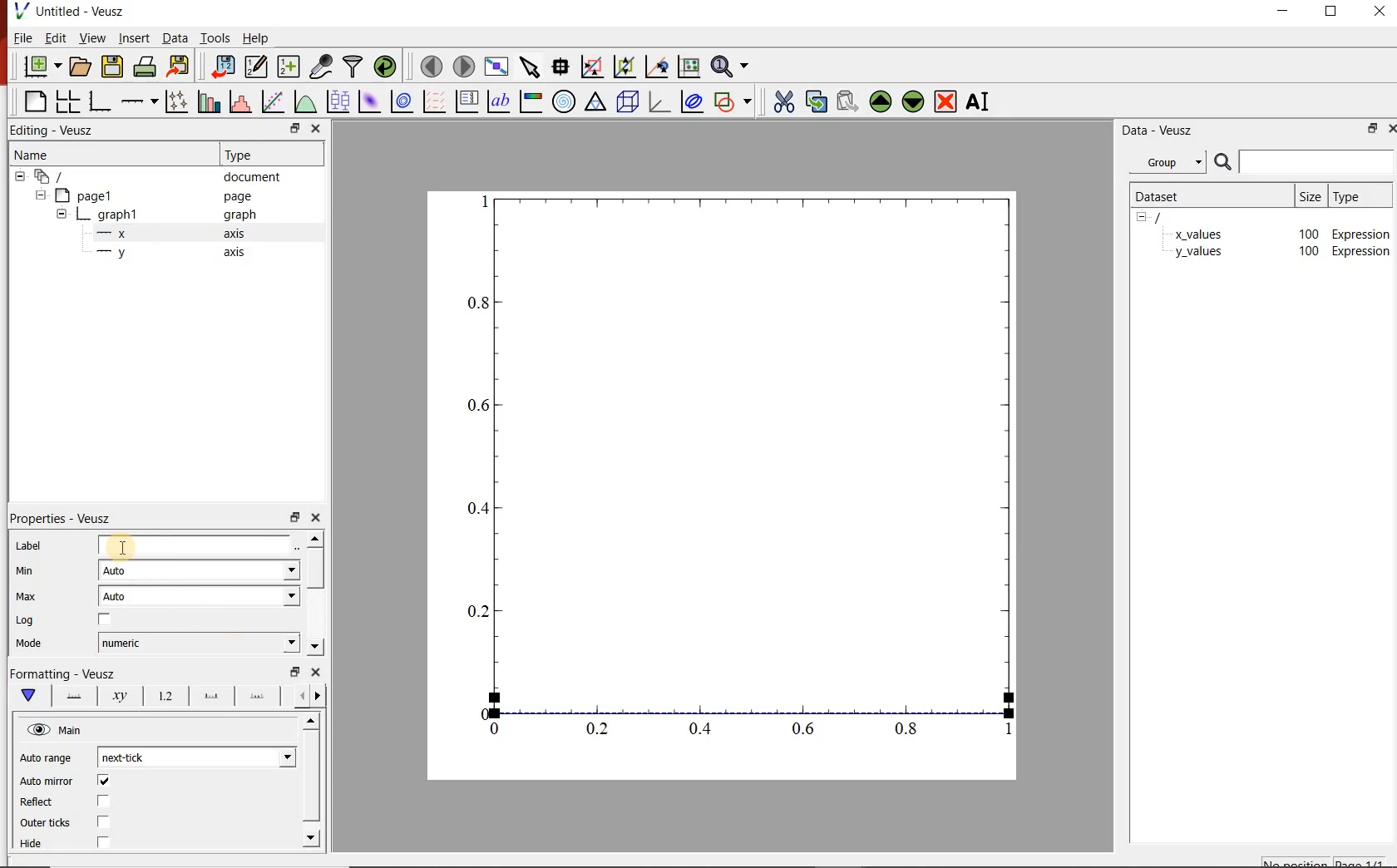 The width and height of the screenshot is (1397, 868). I want to click on all apegs, so click(58, 176).